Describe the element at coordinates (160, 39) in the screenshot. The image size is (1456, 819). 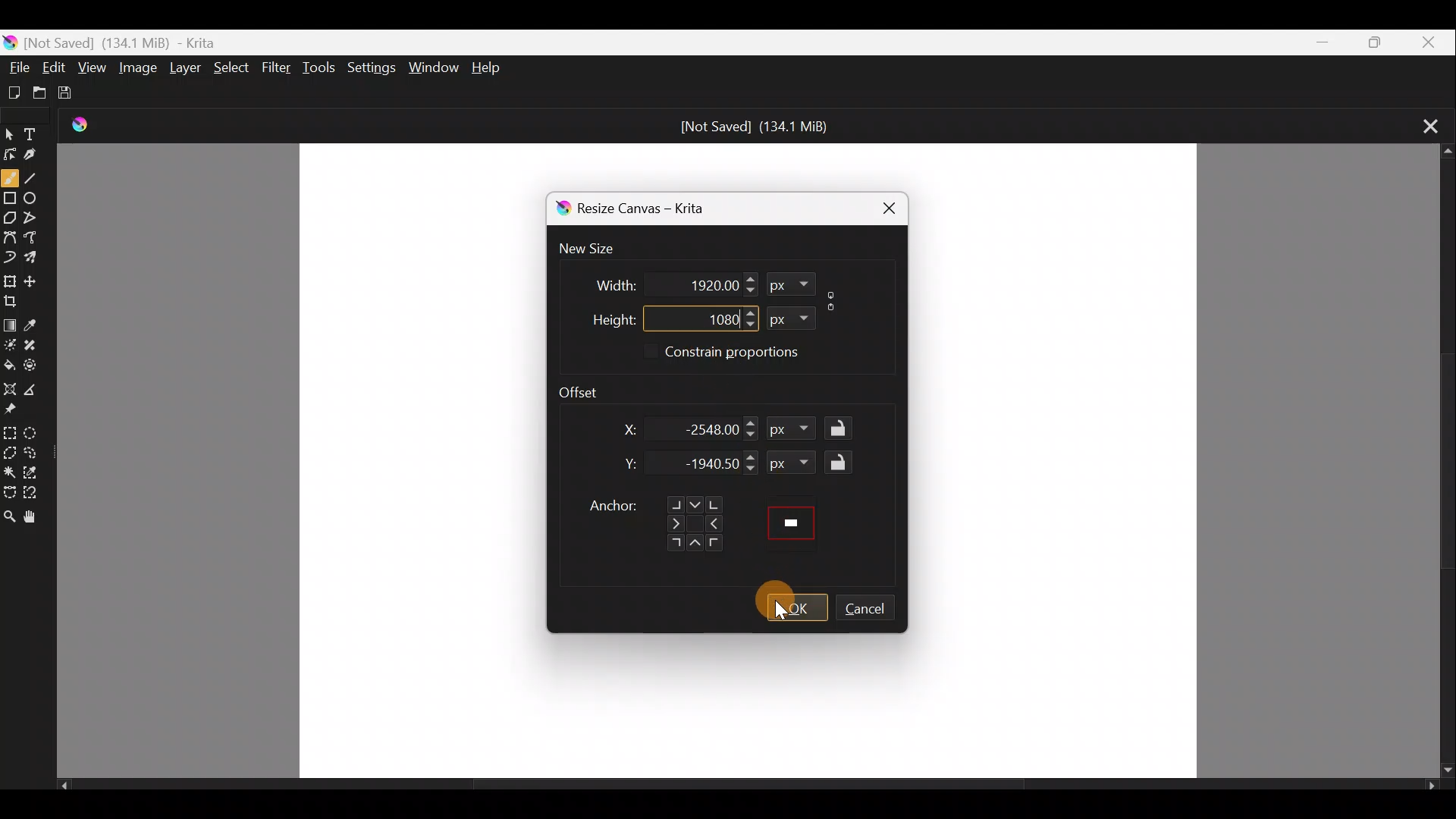
I see `[Not Saved] (134.1 MiB) - Krita` at that location.